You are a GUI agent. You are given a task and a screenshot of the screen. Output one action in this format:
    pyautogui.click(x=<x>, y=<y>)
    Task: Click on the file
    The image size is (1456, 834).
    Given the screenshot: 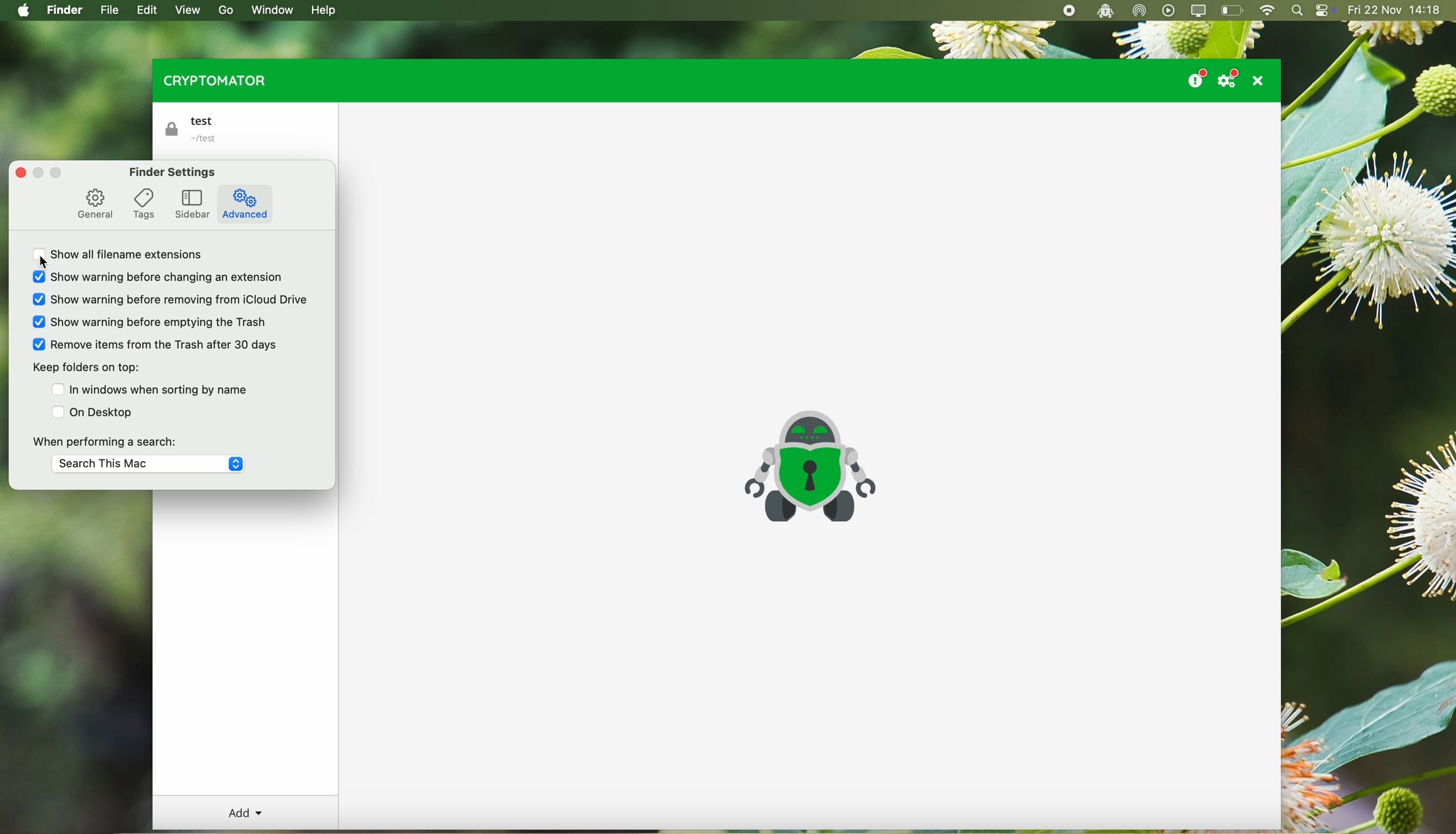 What is the action you would take?
    pyautogui.click(x=110, y=11)
    